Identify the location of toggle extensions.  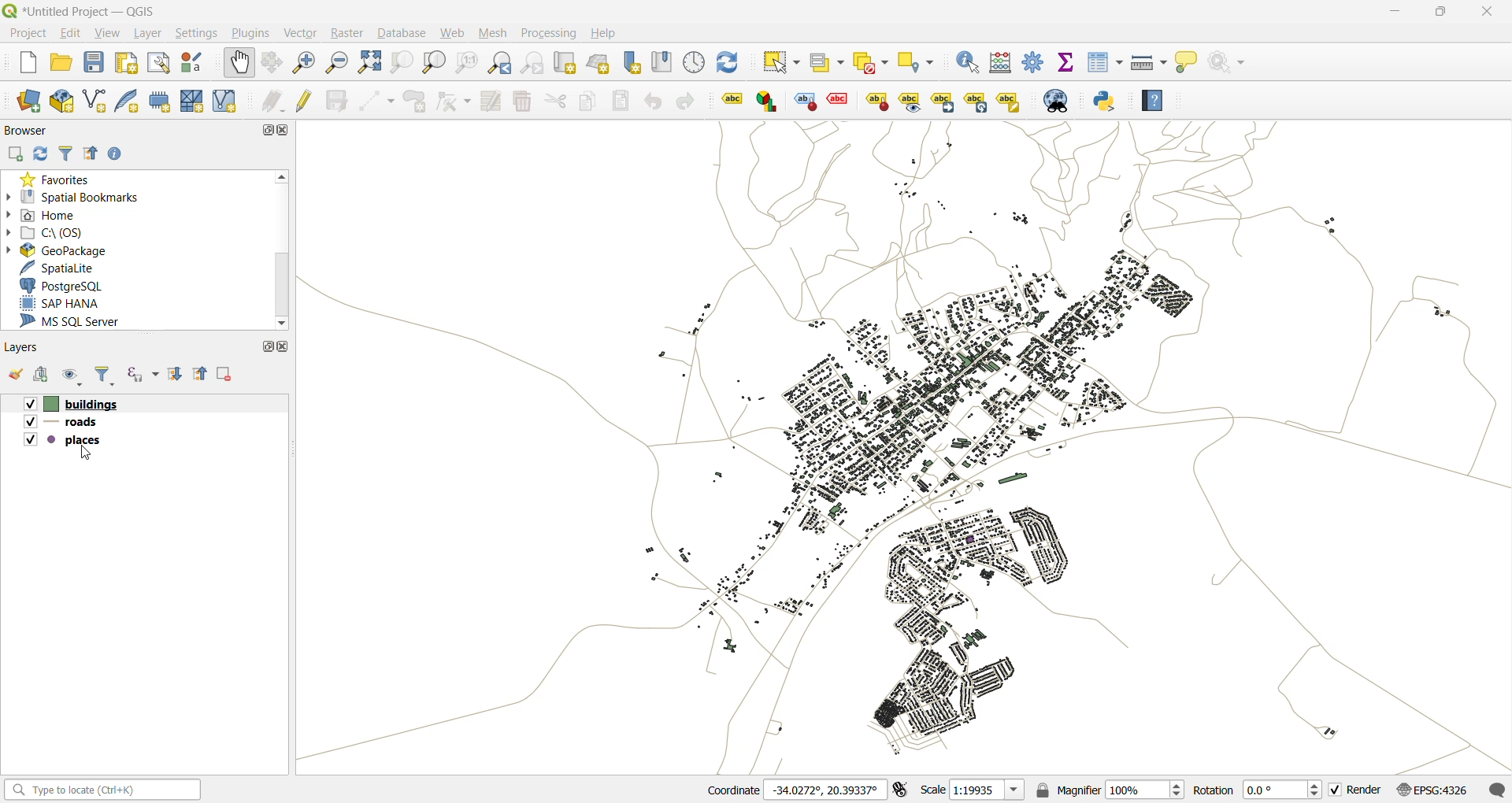
(900, 790).